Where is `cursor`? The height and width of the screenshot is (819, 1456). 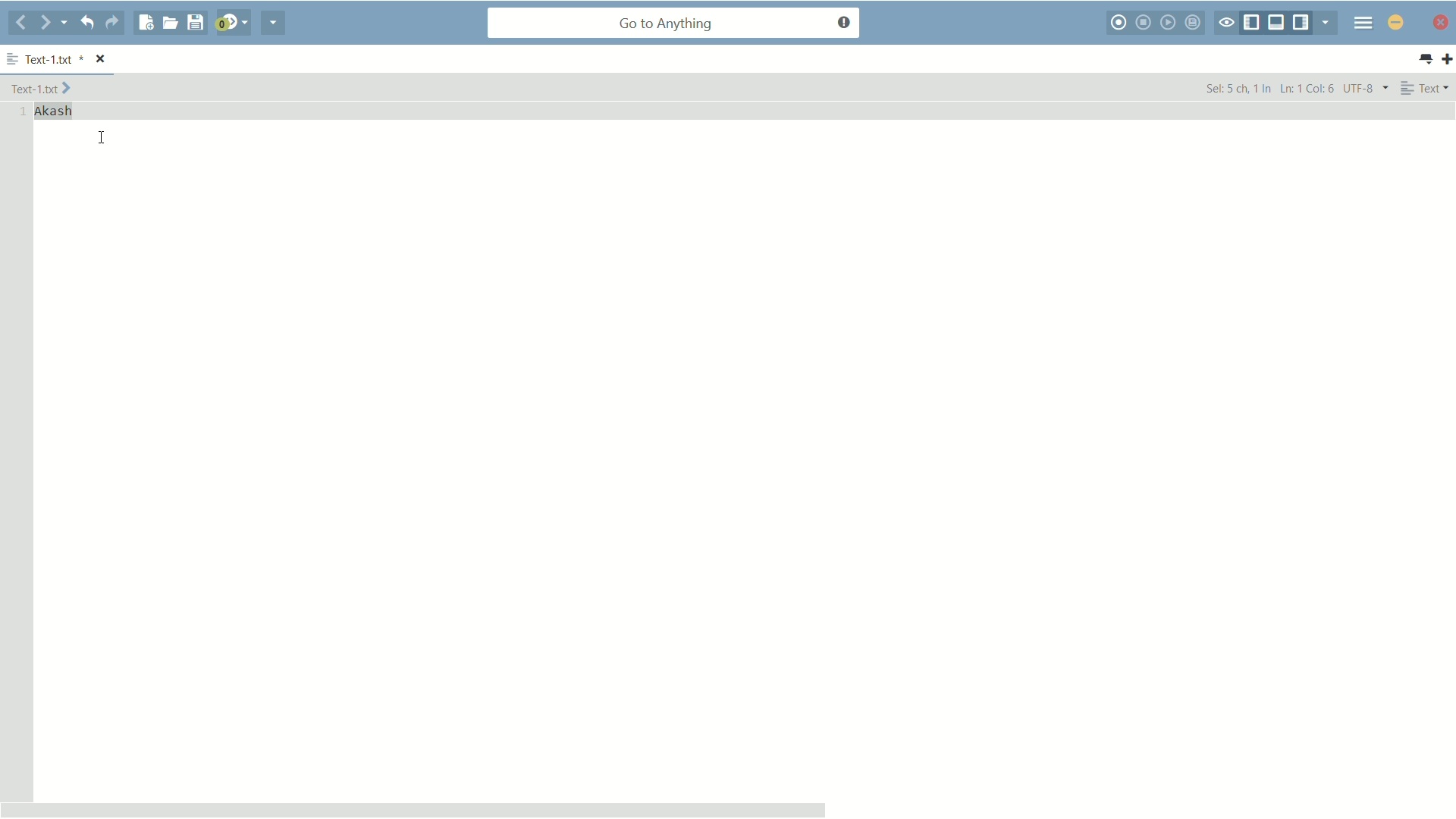 cursor is located at coordinates (102, 137).